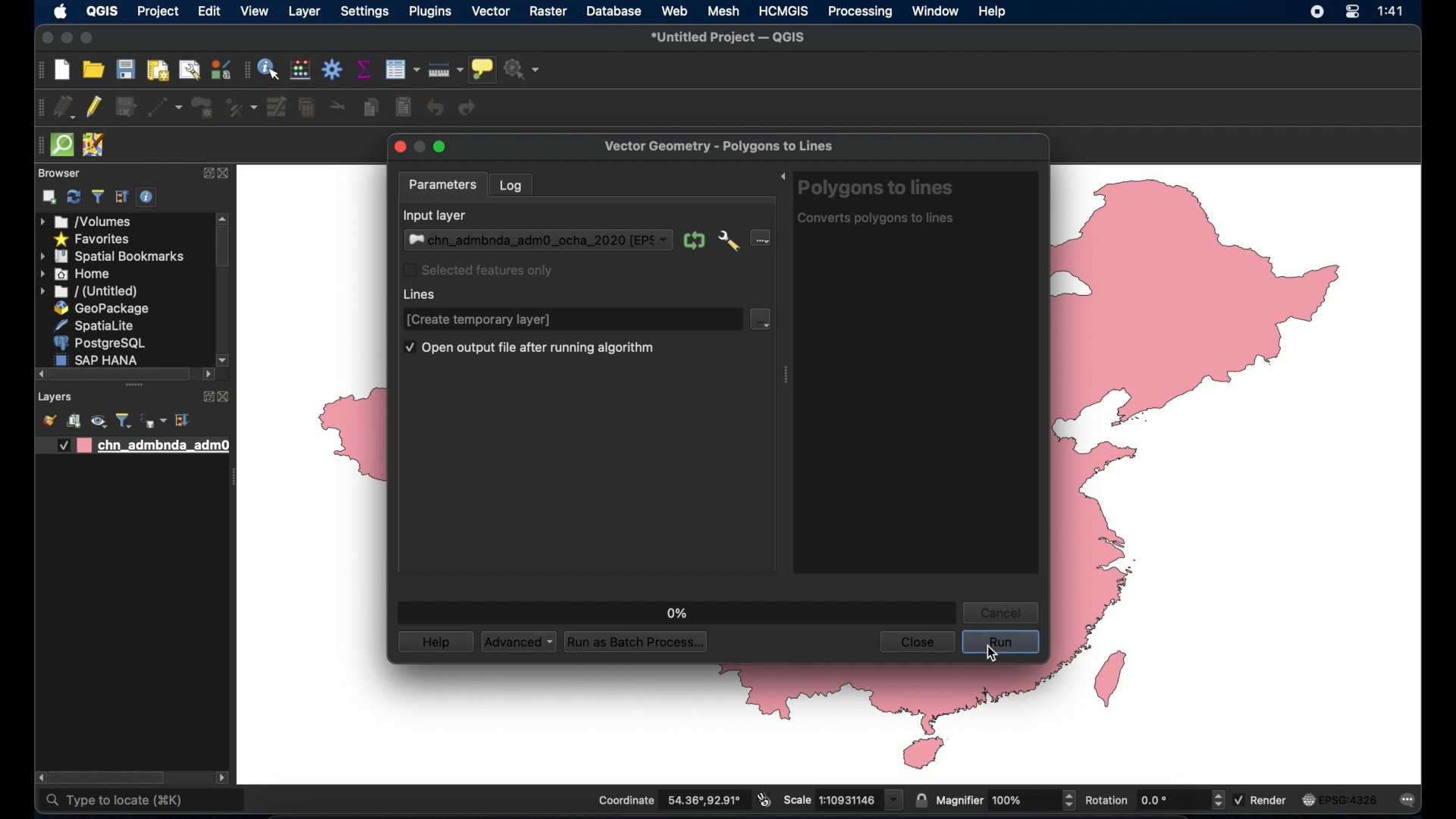 The height and width of the screenshot is (819, 1456). Describe the element at coordinates (50, 197) in the screenshot. I see `add selected layers` at that location.